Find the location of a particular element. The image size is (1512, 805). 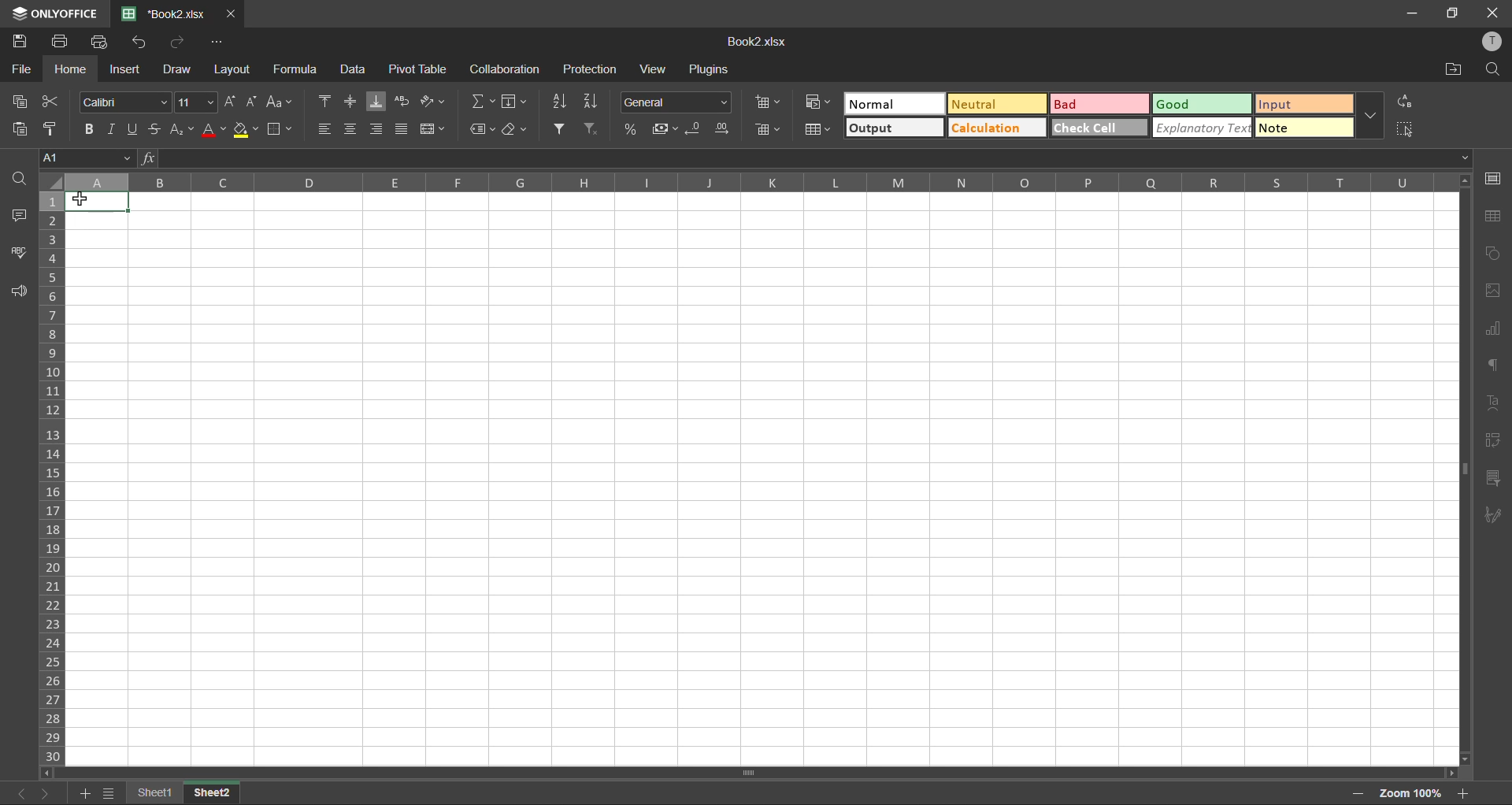

insert is located at coordinates (123, 69).